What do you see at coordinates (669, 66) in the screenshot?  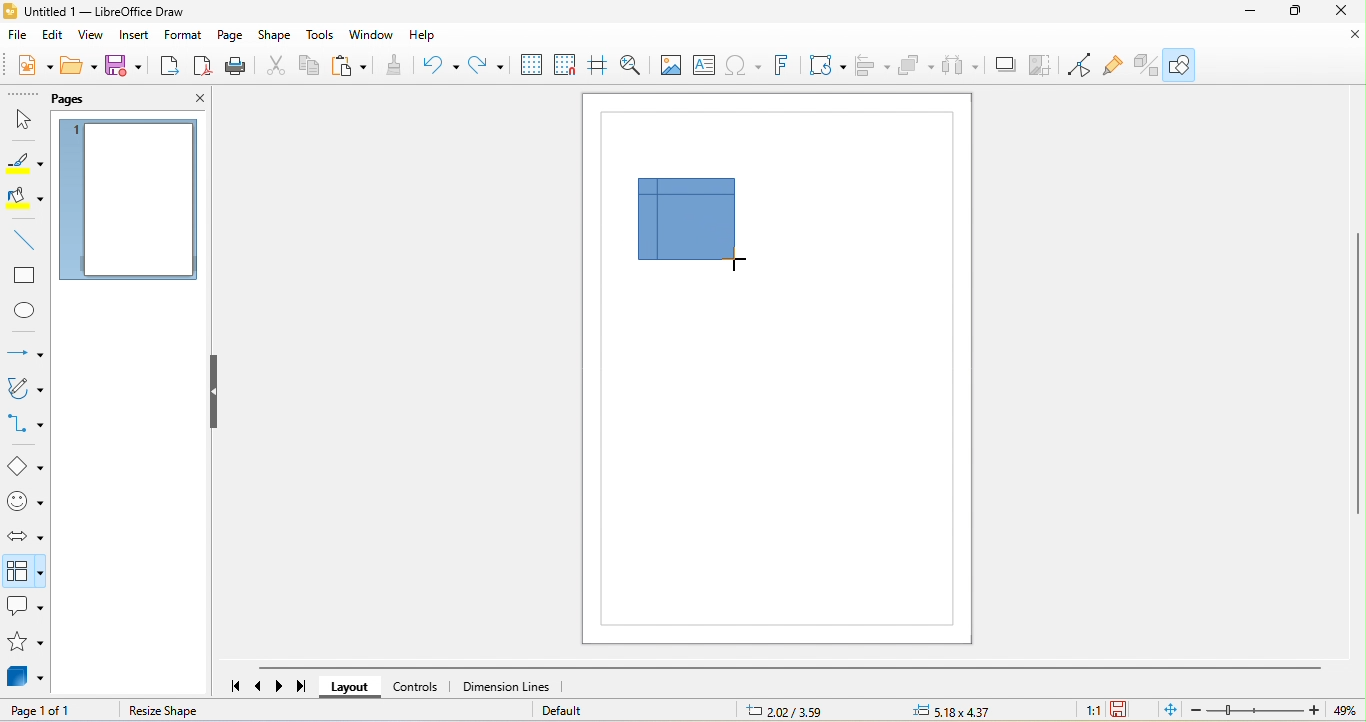 I see `image` at bounding box center [669, 66].